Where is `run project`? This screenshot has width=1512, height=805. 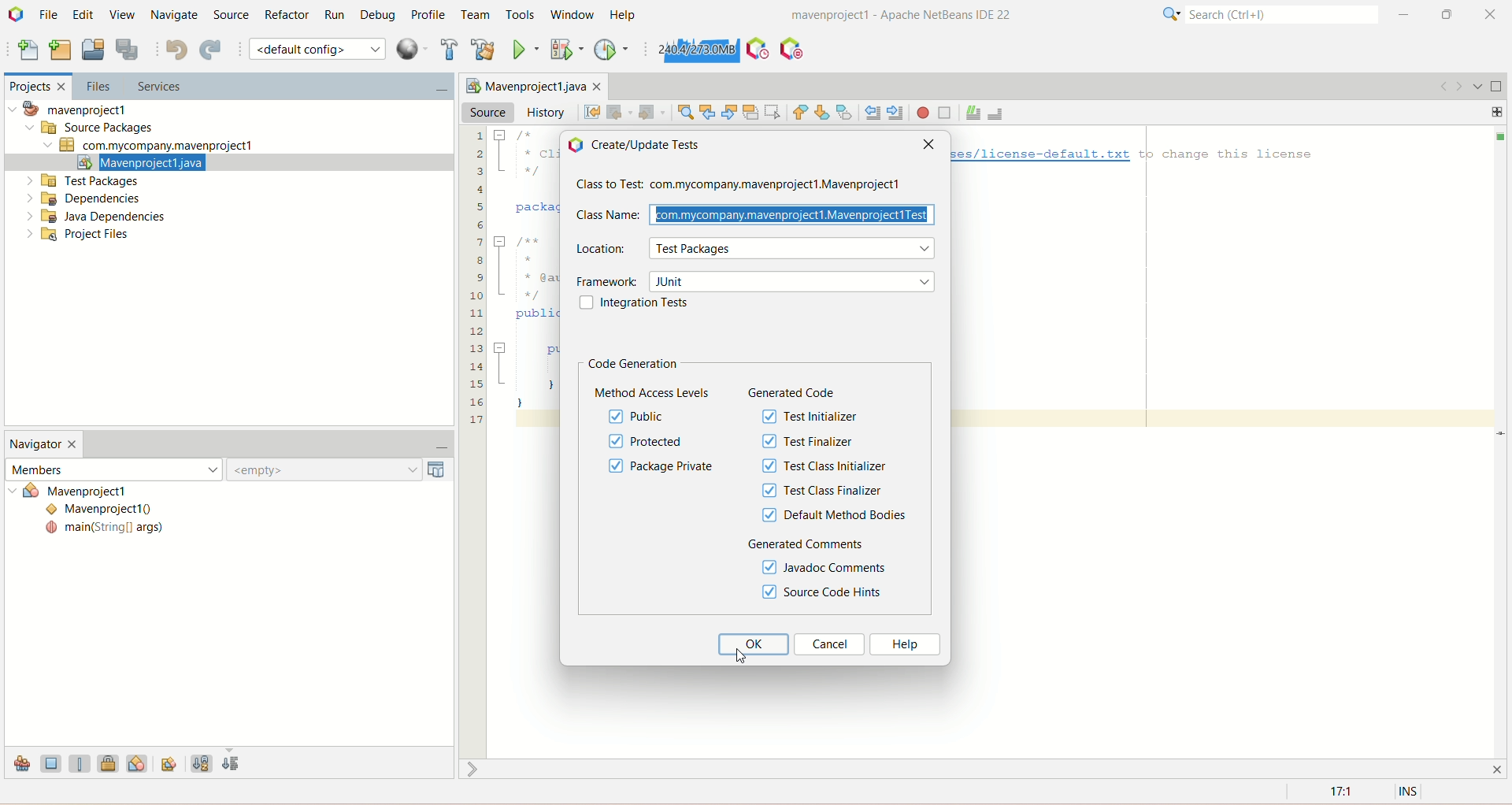 run project is located at coordinates (525, 48).